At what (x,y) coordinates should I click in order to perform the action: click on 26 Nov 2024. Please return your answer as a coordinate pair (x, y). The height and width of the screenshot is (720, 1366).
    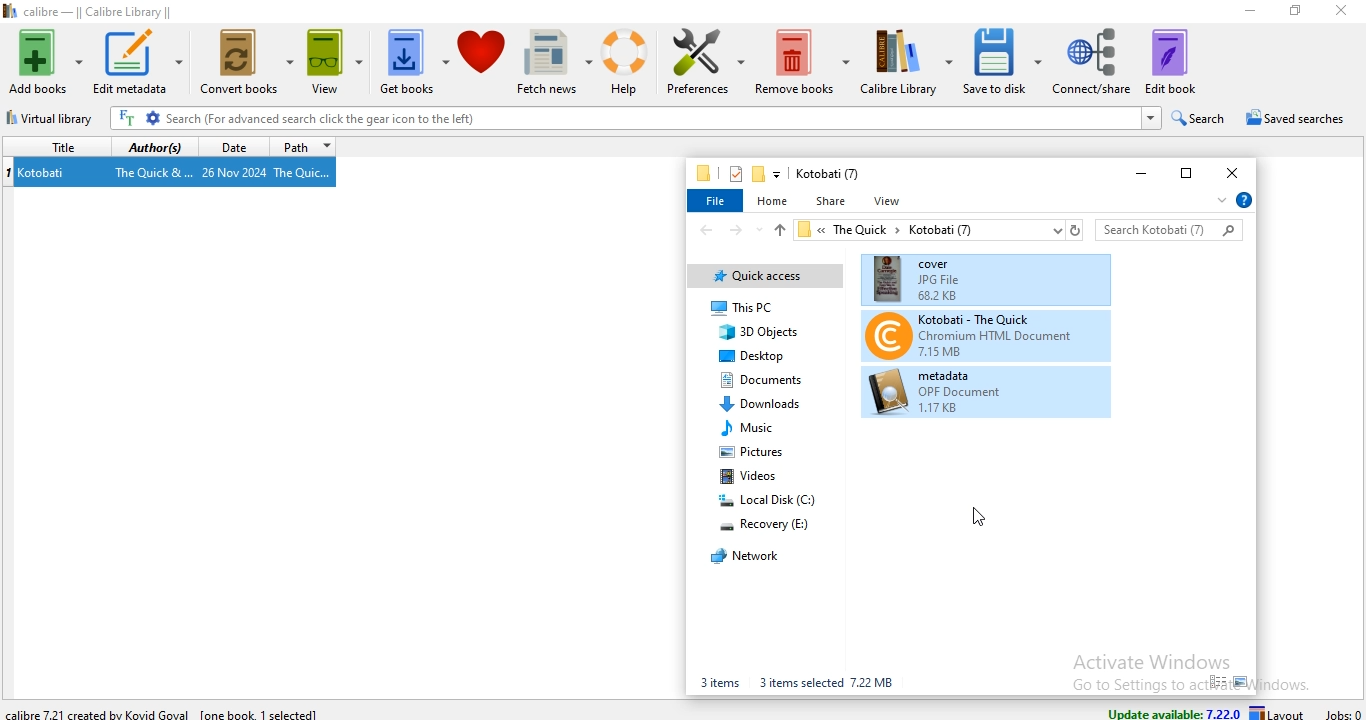
    Looking at the image, I should click on (235, 173).